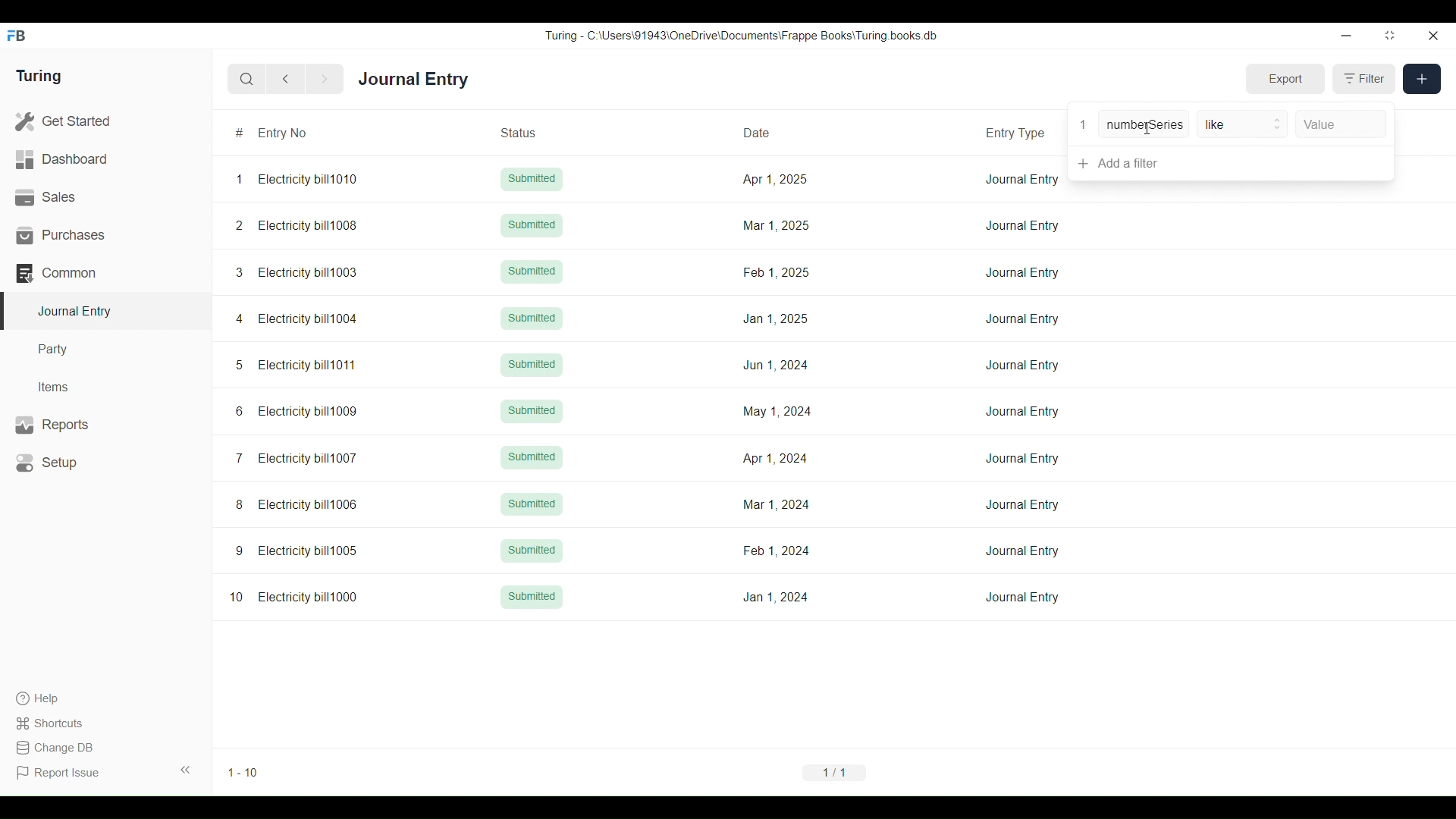 This screenshot has height=819, width=1456. What do you see at coordinates (1018, 131) in the screenshot?
I see `Entry Type` at bounding box center [1018, 131].